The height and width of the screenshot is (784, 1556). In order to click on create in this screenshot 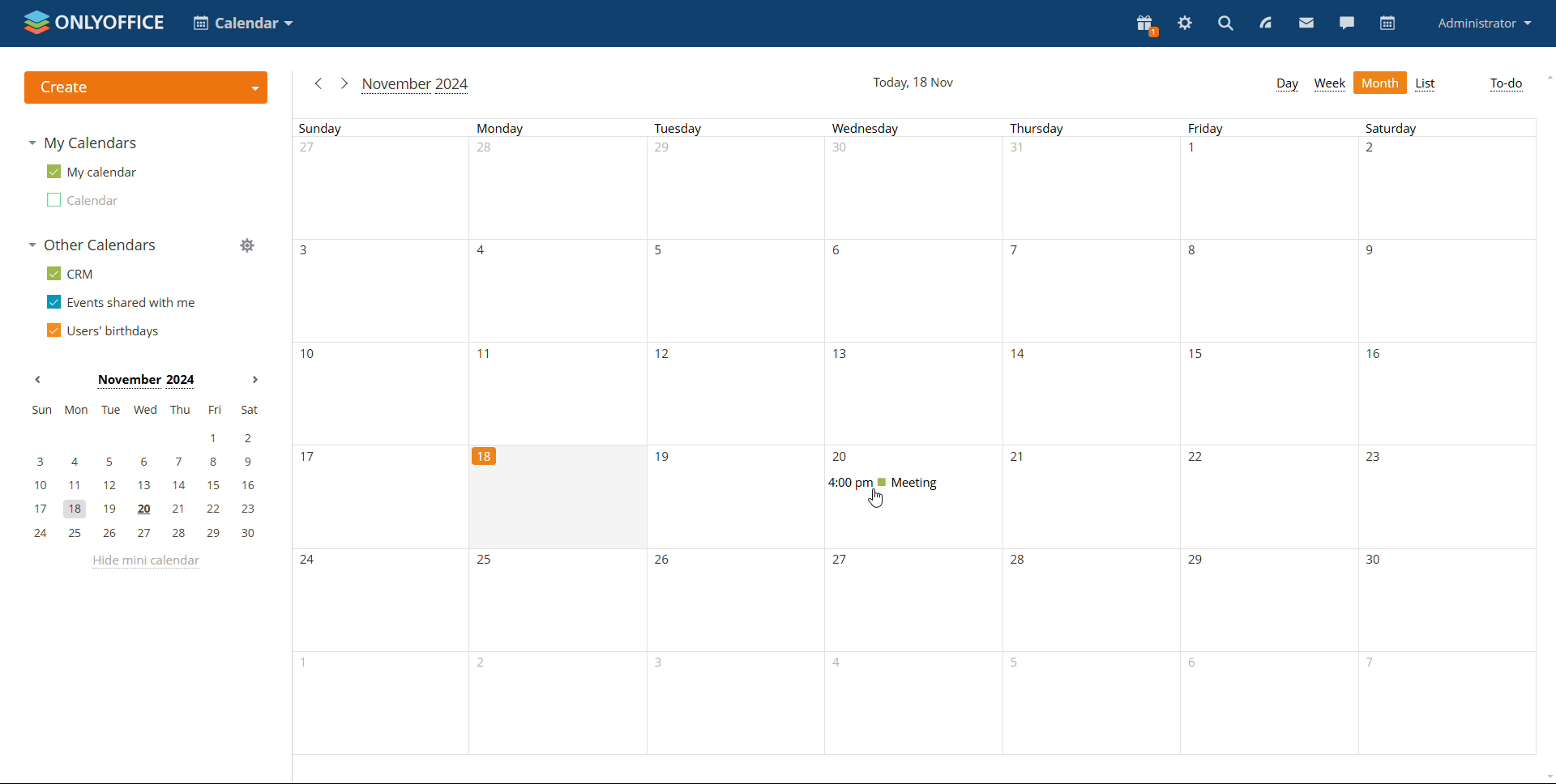, I will do `click(147, 88)`.